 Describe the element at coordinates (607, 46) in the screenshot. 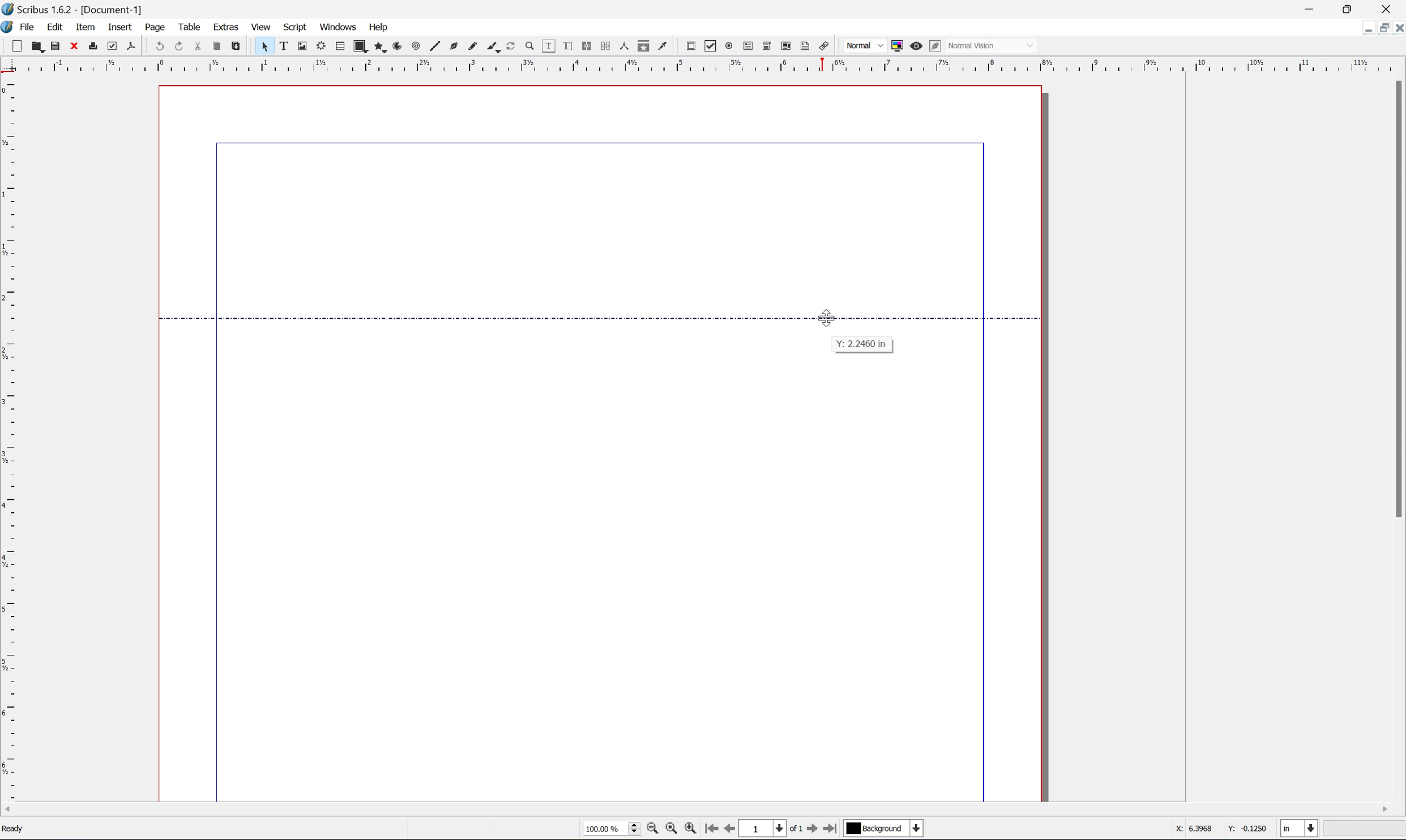

I see `unlink text frames` at that location.